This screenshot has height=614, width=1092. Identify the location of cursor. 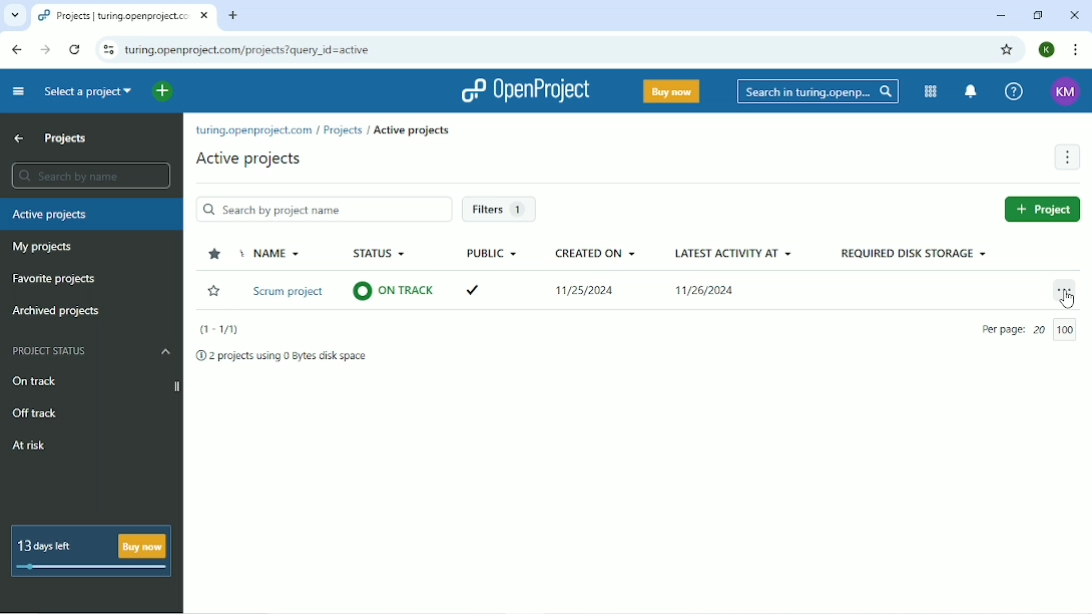
(1070, 303).